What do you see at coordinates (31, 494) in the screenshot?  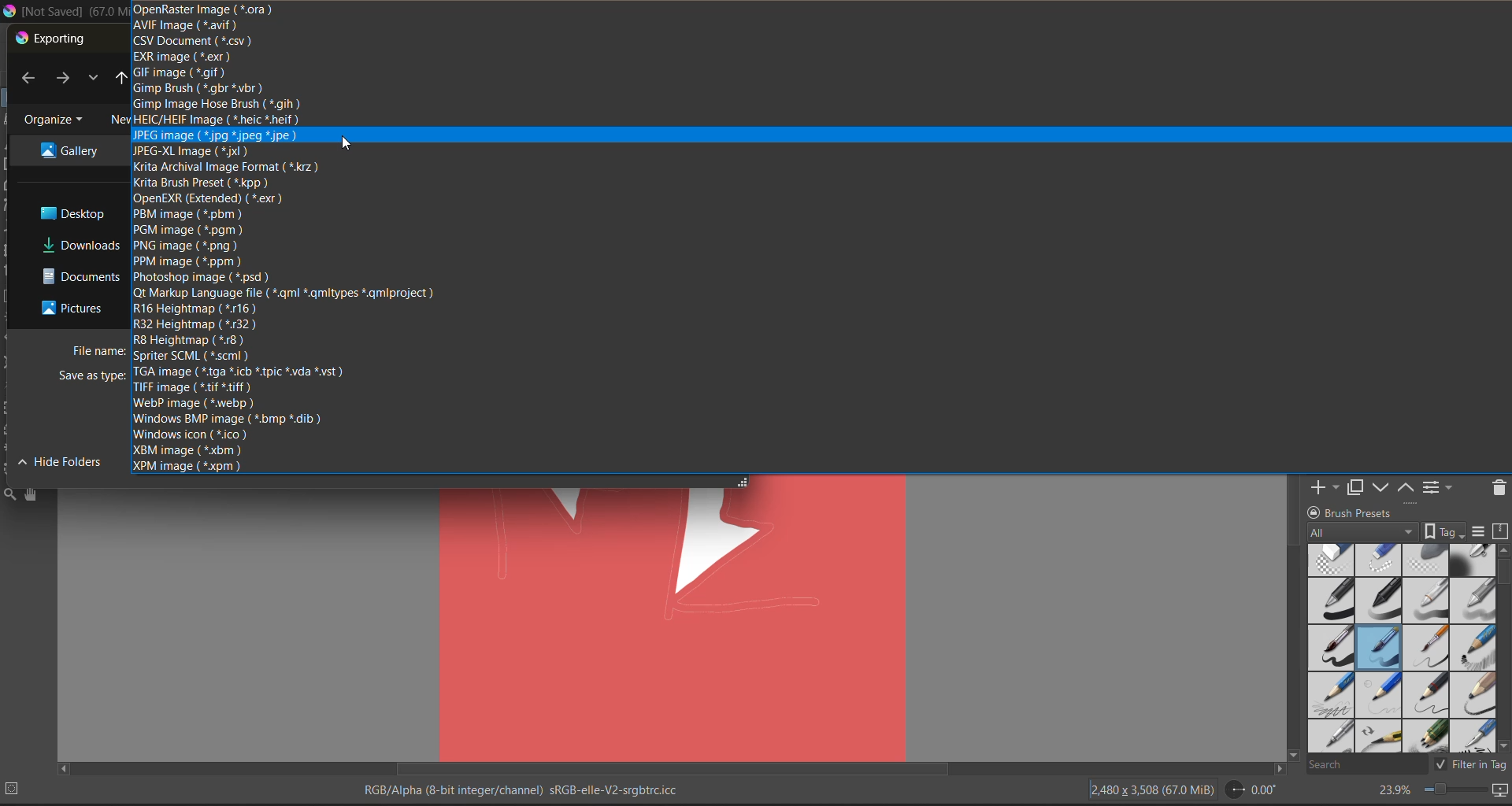 I see `tools` at bounding box center [31, 494].